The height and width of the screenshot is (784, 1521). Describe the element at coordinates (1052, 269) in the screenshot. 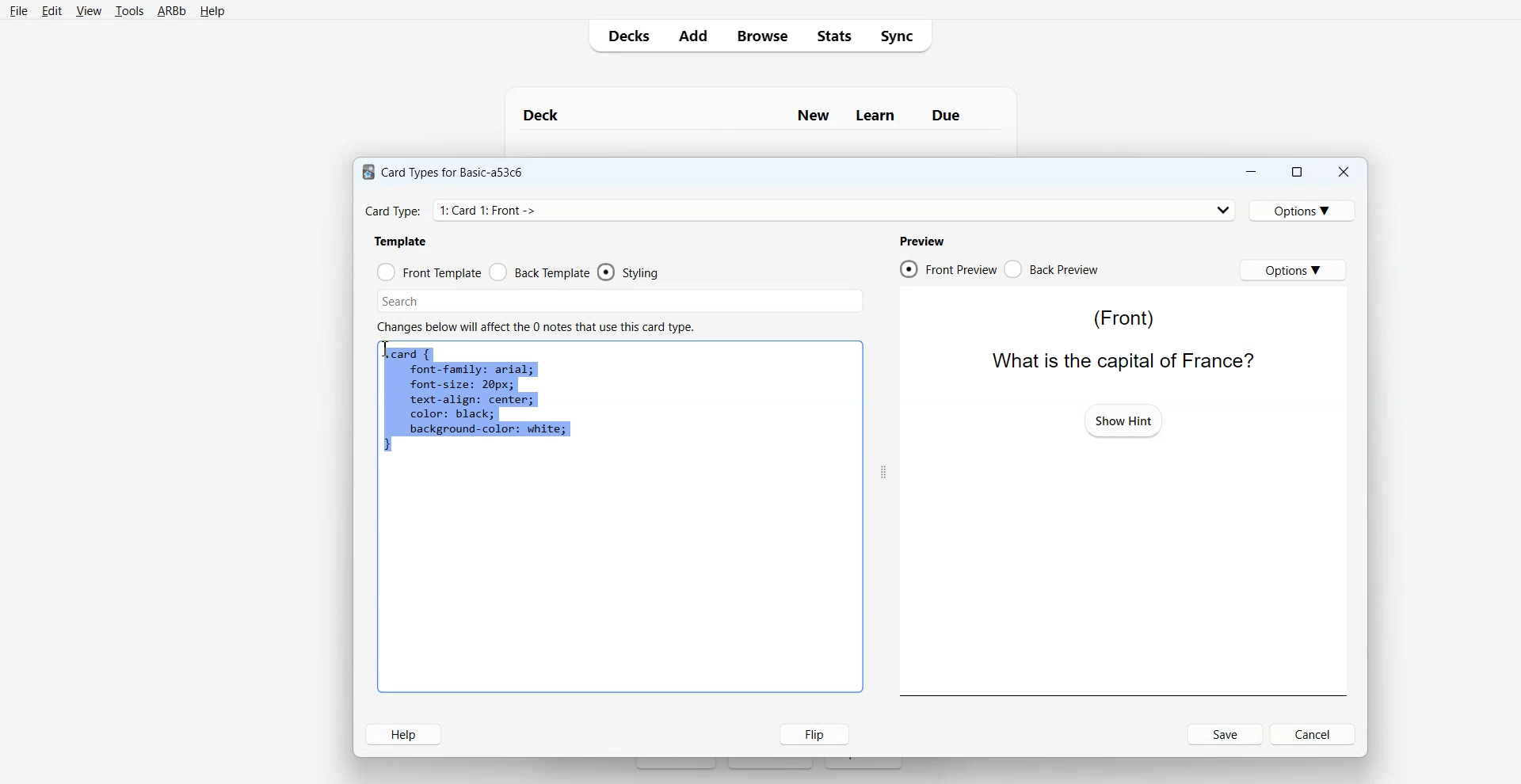

I see `Back Preview` at that location.